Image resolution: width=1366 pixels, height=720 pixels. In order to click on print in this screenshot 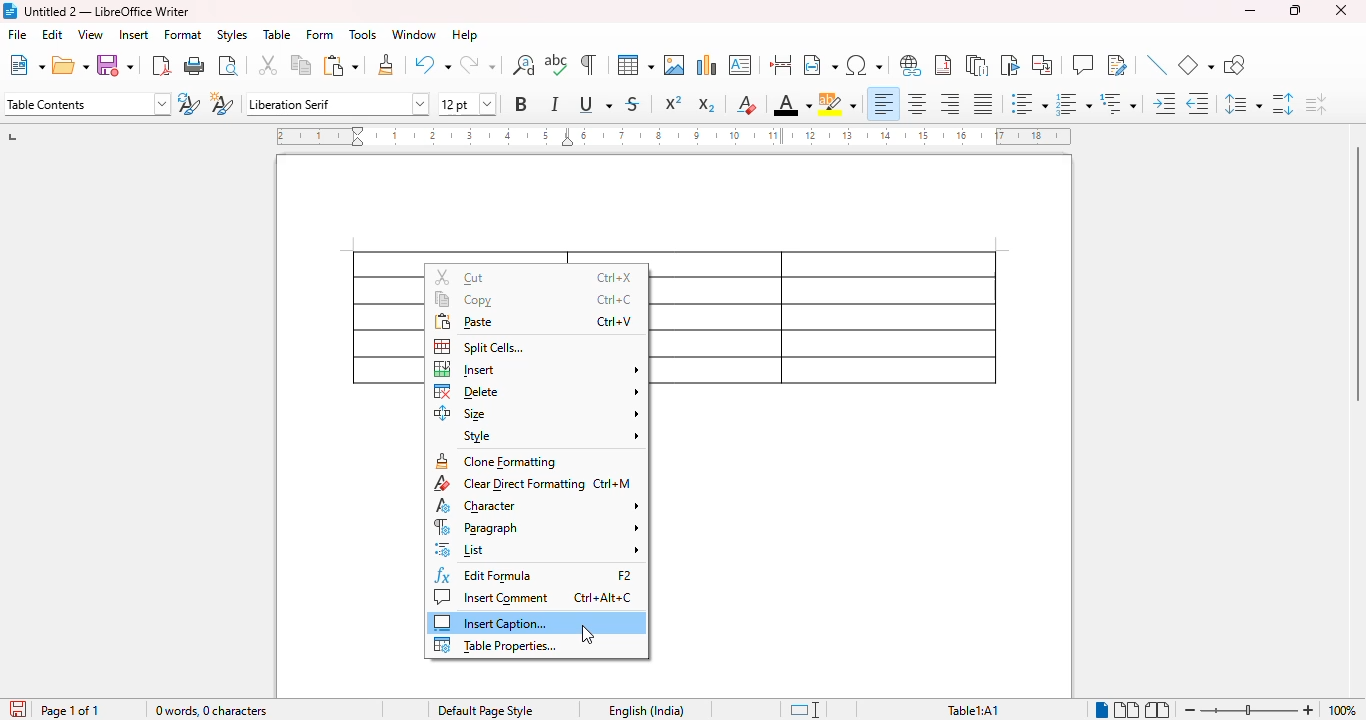, I will do `click(195, 65)`.